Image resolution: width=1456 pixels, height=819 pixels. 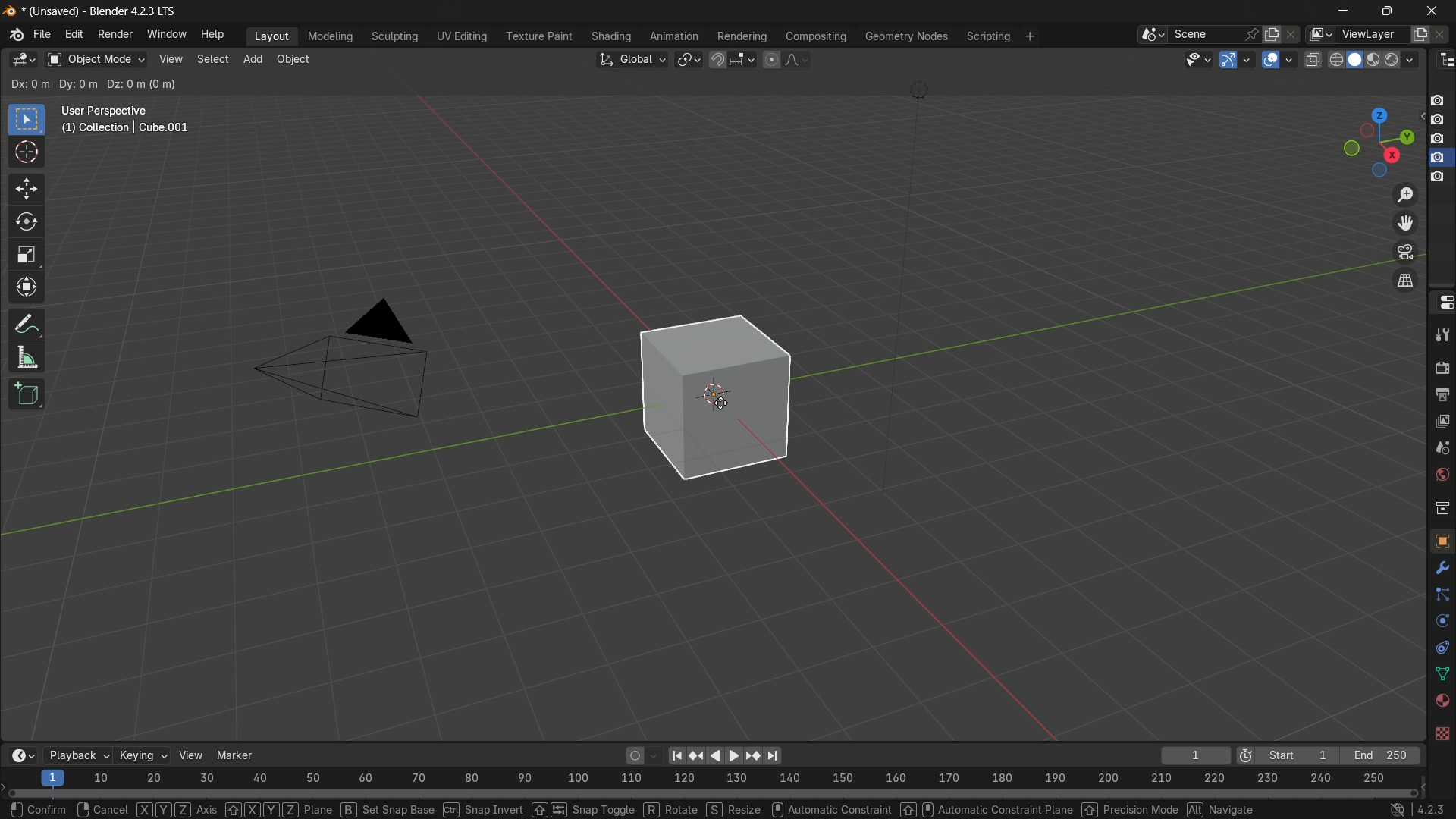 I want to click on particles, so click(x=1442, y=594).